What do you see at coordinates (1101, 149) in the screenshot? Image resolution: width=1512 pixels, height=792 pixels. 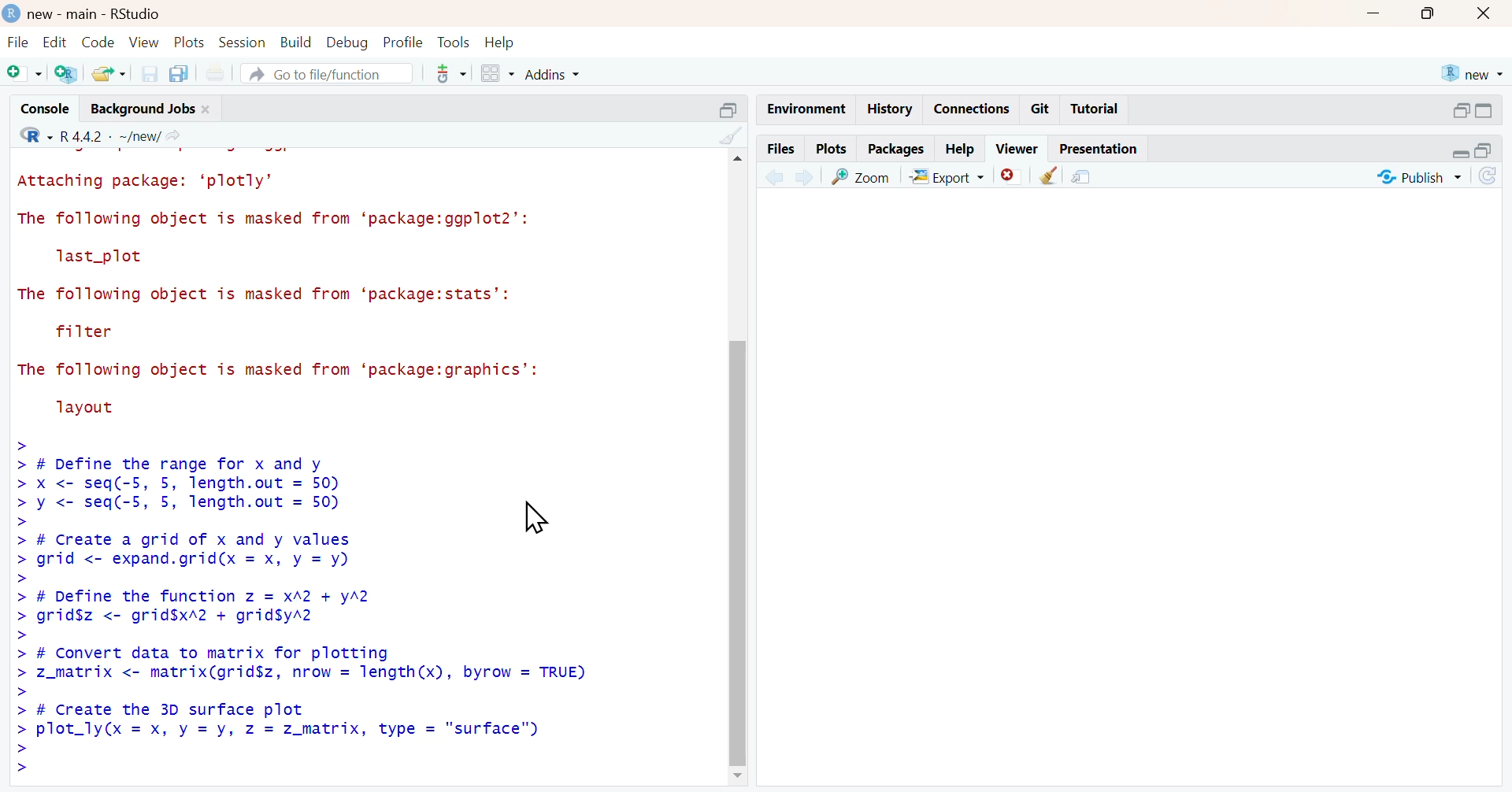 I see `presentation` at bounding box center [1101, 149].